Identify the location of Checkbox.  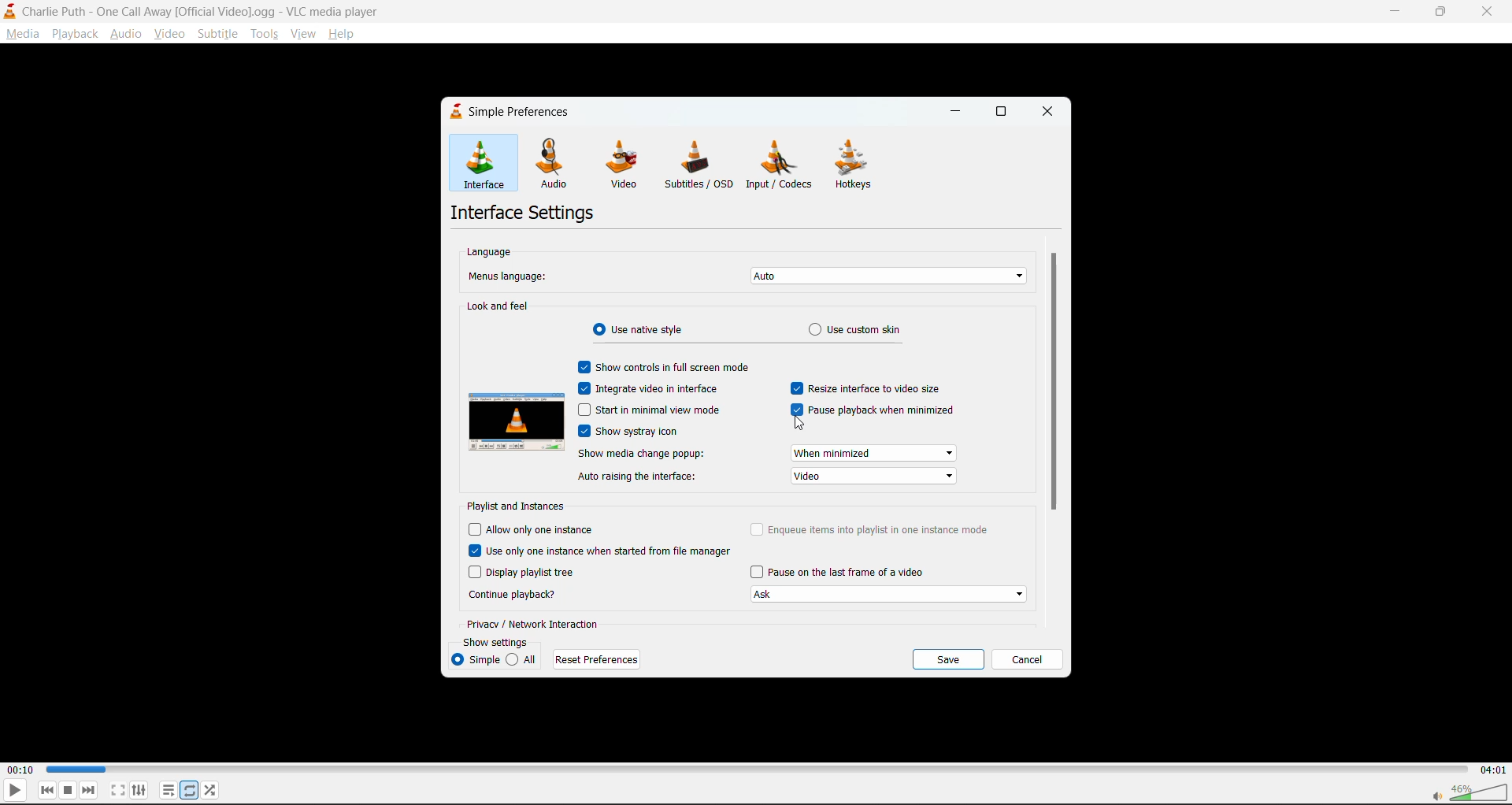
(582, 367).